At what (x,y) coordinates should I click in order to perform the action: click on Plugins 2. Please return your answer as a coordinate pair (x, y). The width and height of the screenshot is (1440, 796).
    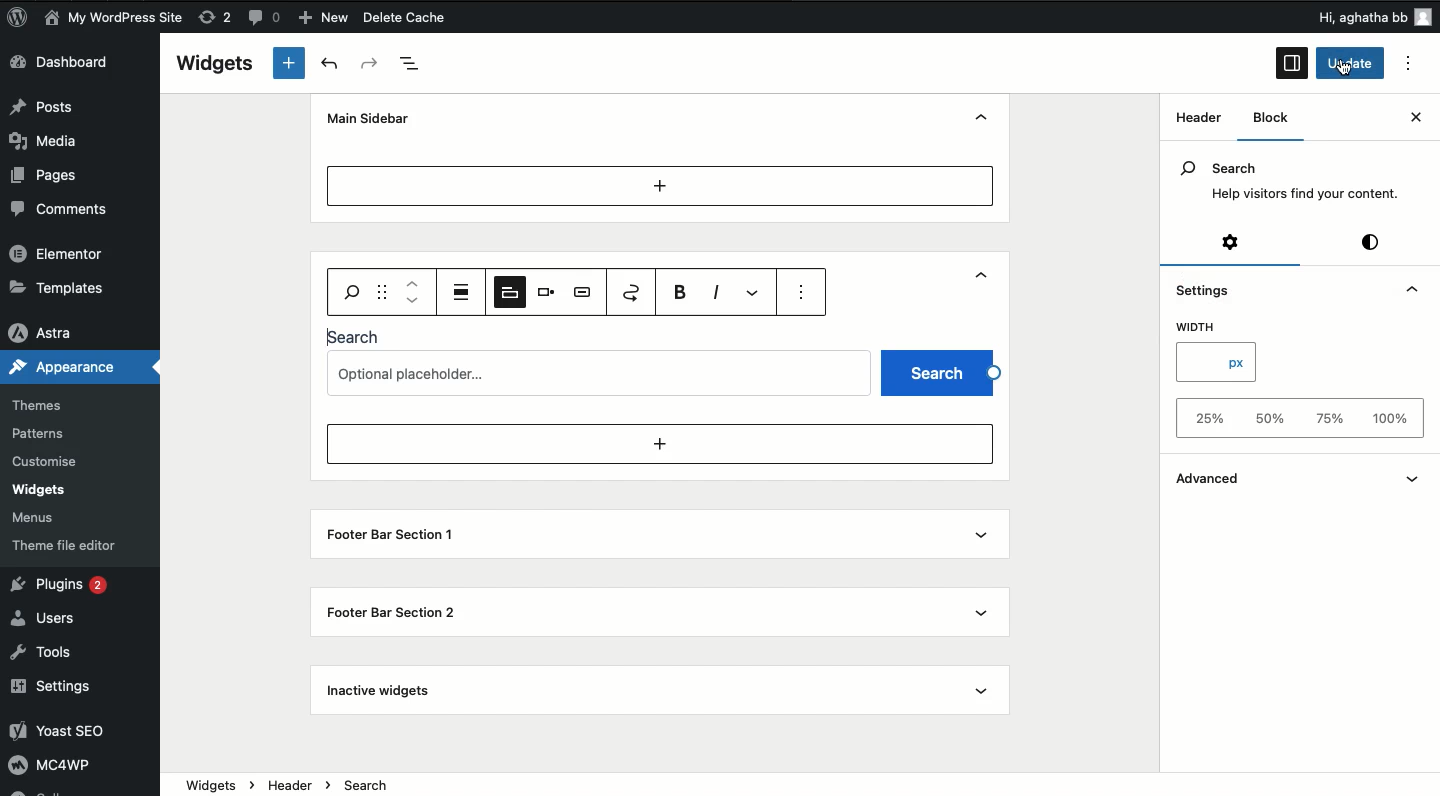
    Looking at the image, I should click on (68, 587).